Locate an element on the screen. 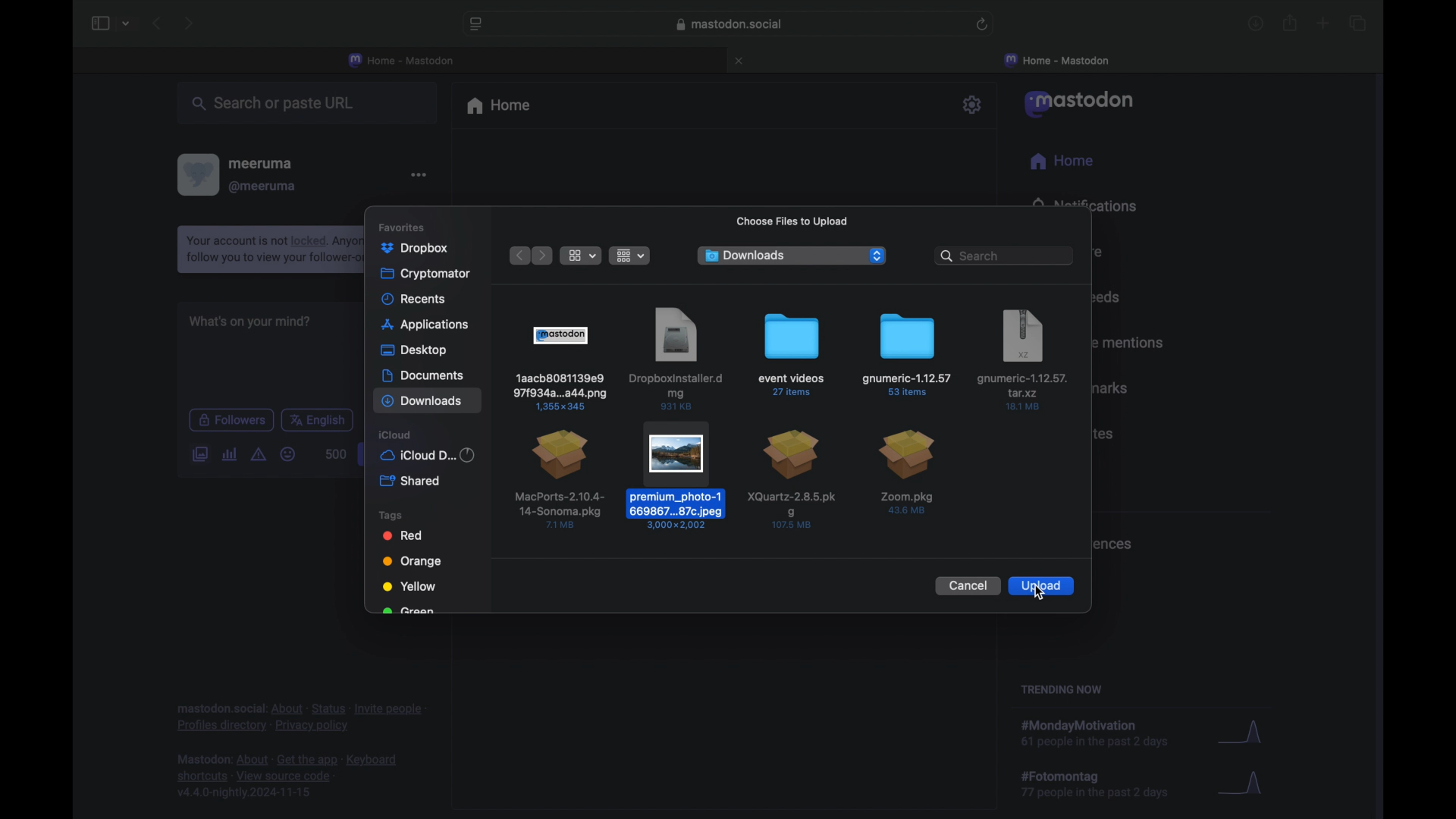 The width and height of the screenshot is (1456, 819). orange is located at coordinates (411, 561).